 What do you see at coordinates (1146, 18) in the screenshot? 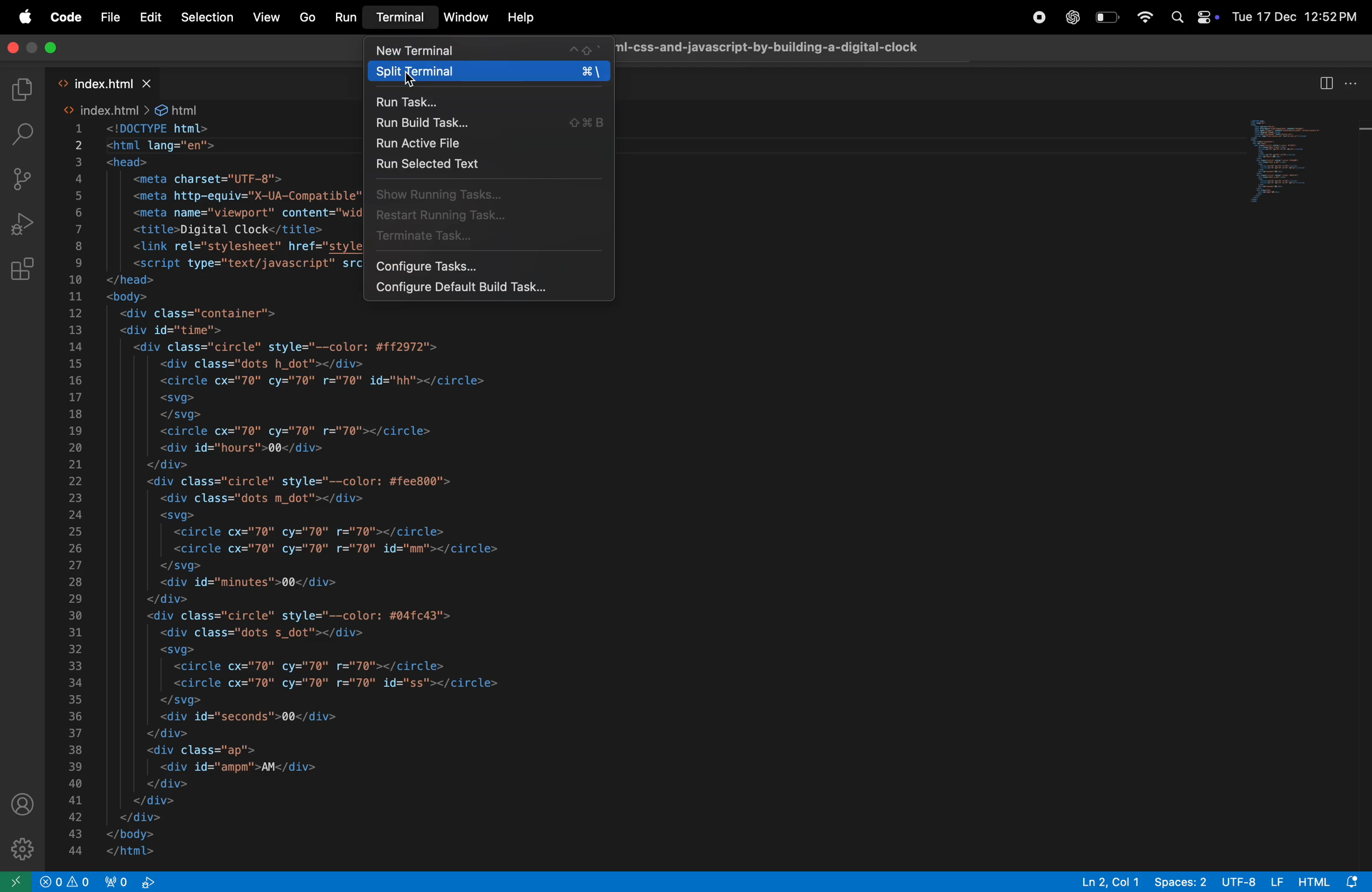
I see `wifi` at bounding box center [1146, 18].